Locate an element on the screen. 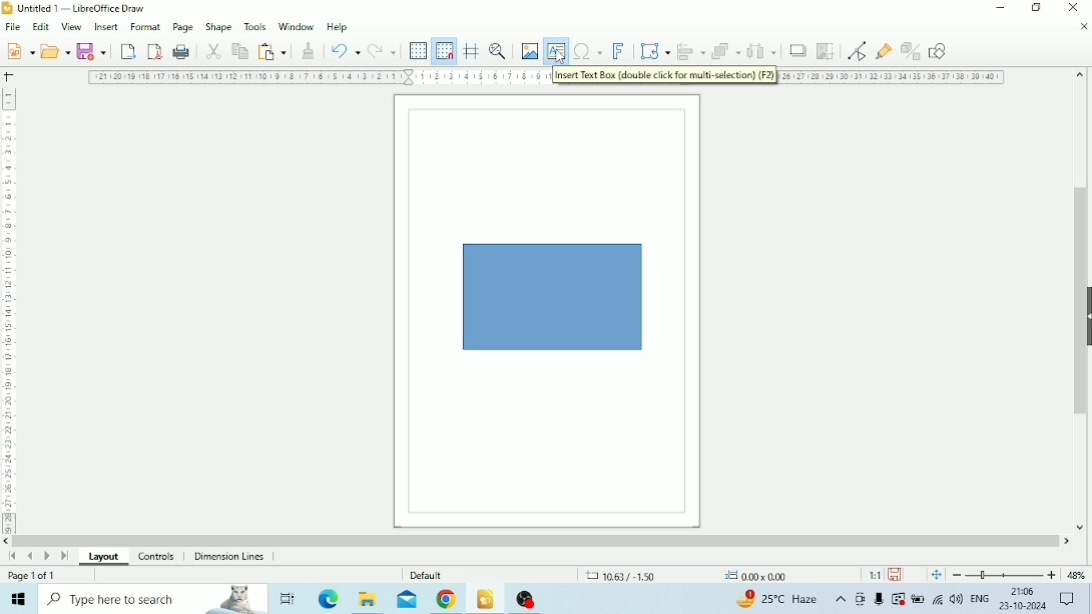 This screenshot has width=1092, height=614. Task View is located at coordinates (286, 599).